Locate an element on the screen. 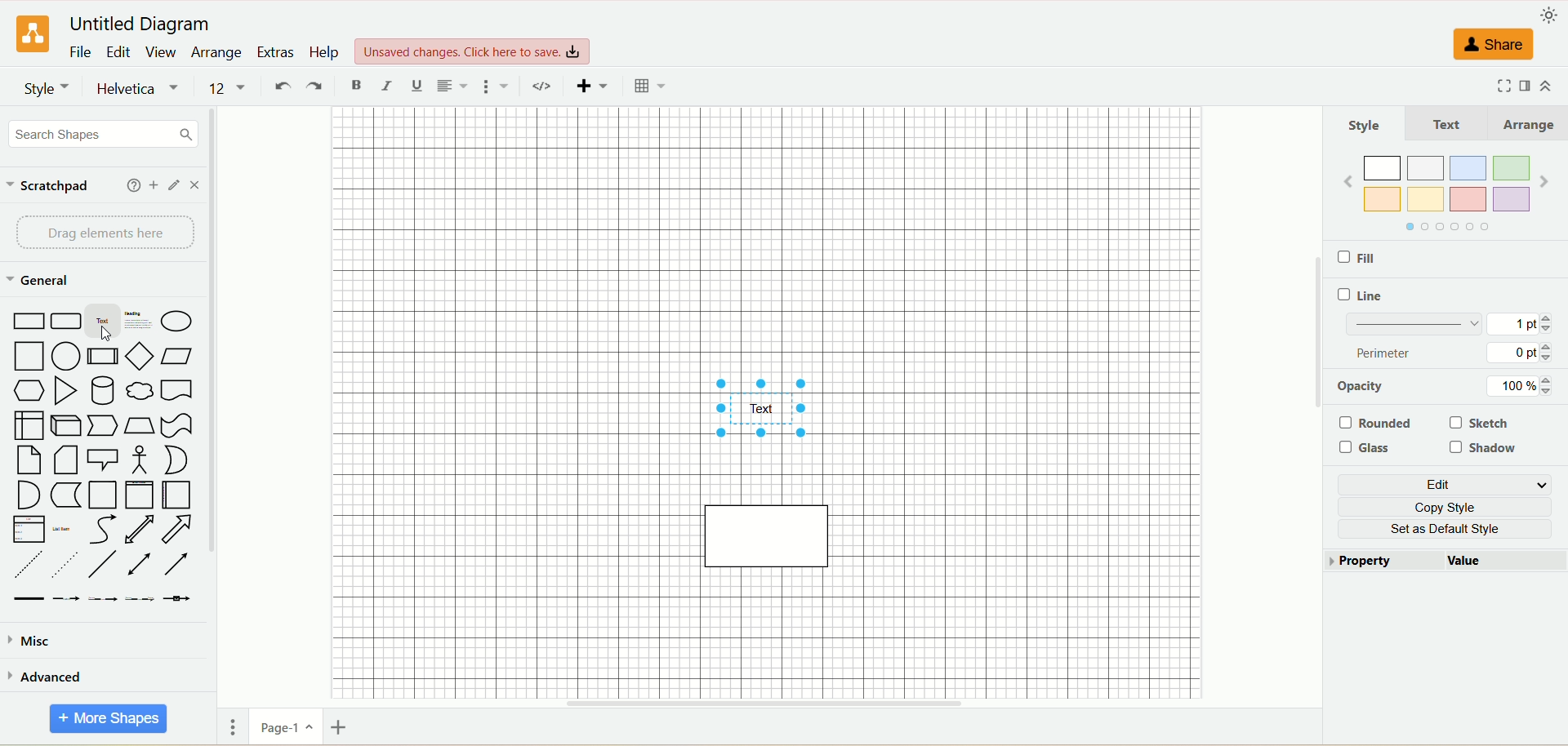 Image resolution: width=1568 pixels, height=746 pixels. arrange is located at coordinates (1530, 125).